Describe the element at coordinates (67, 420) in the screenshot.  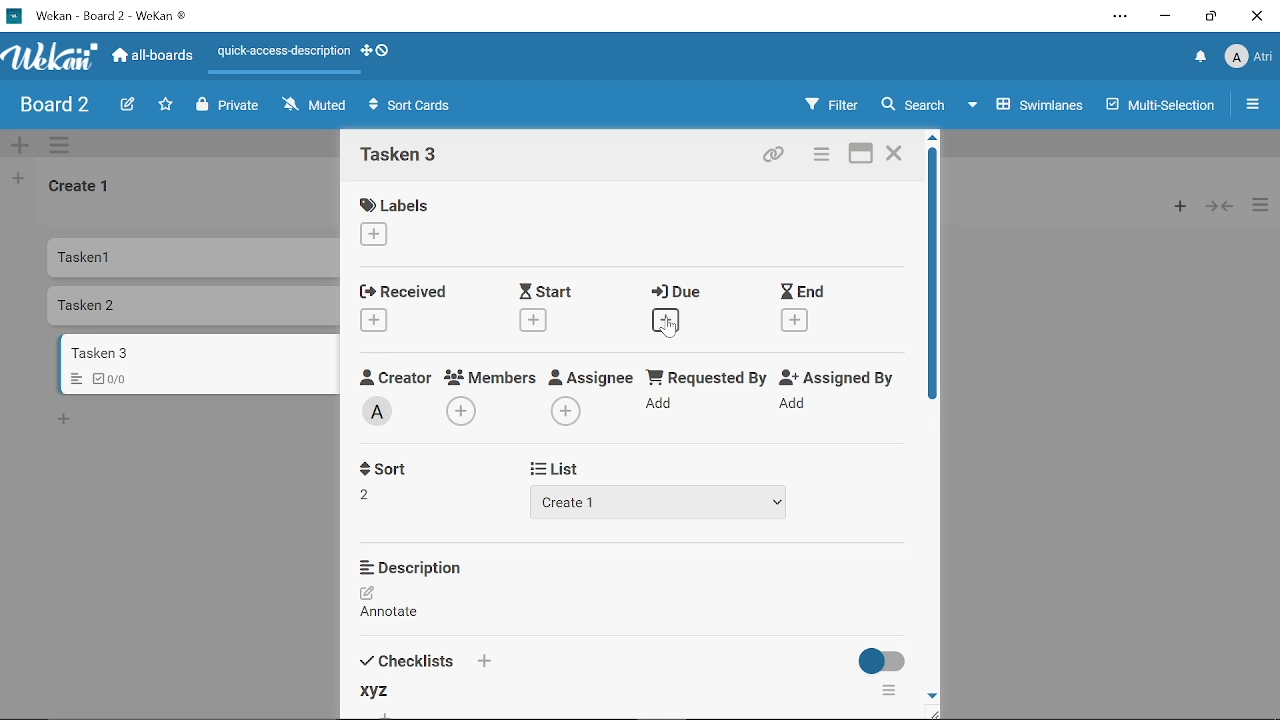
I see `Add card bottom to the list` at that location.